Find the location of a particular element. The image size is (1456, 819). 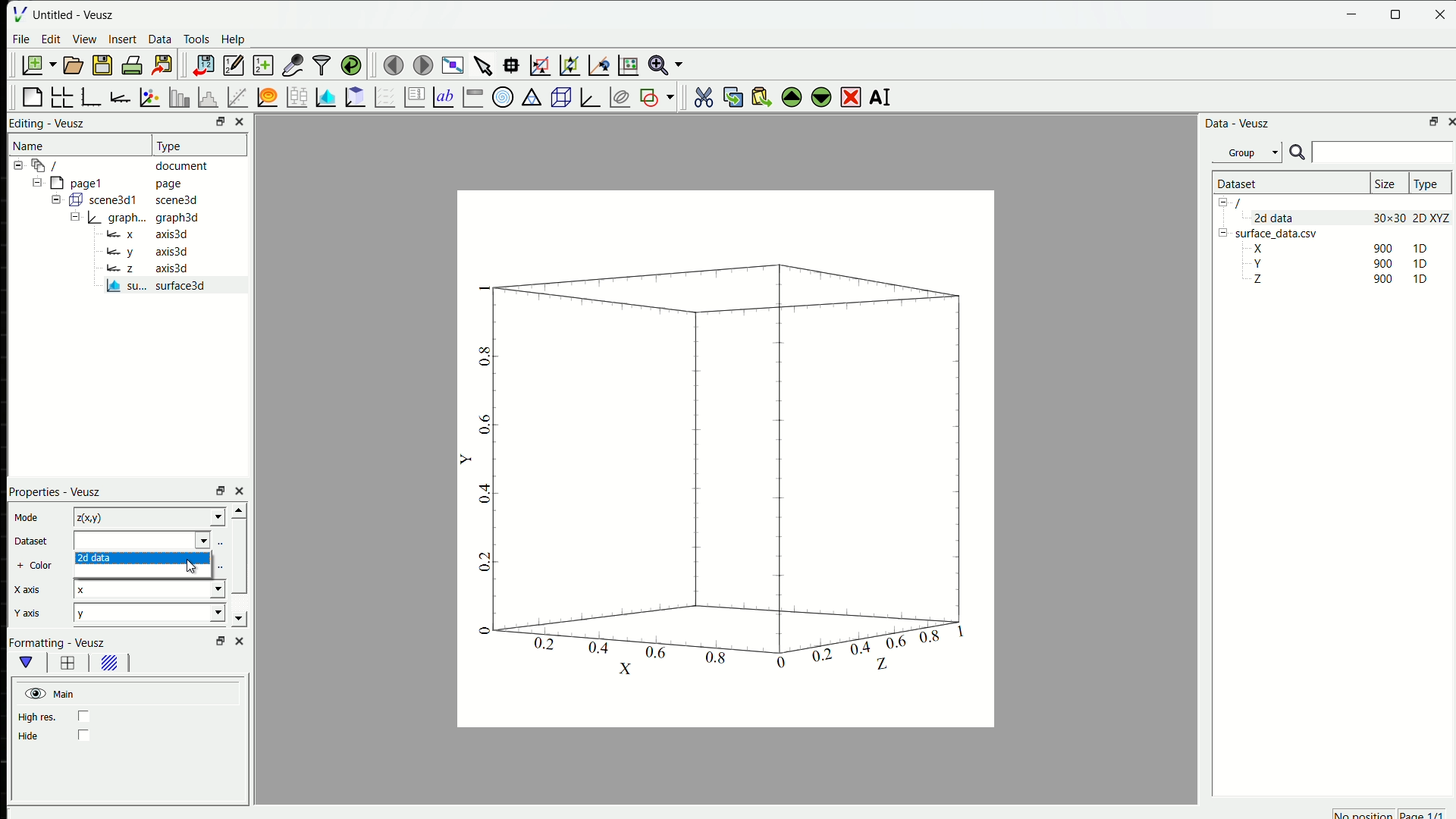

view plot full screen is located at coordinates (453, 65).